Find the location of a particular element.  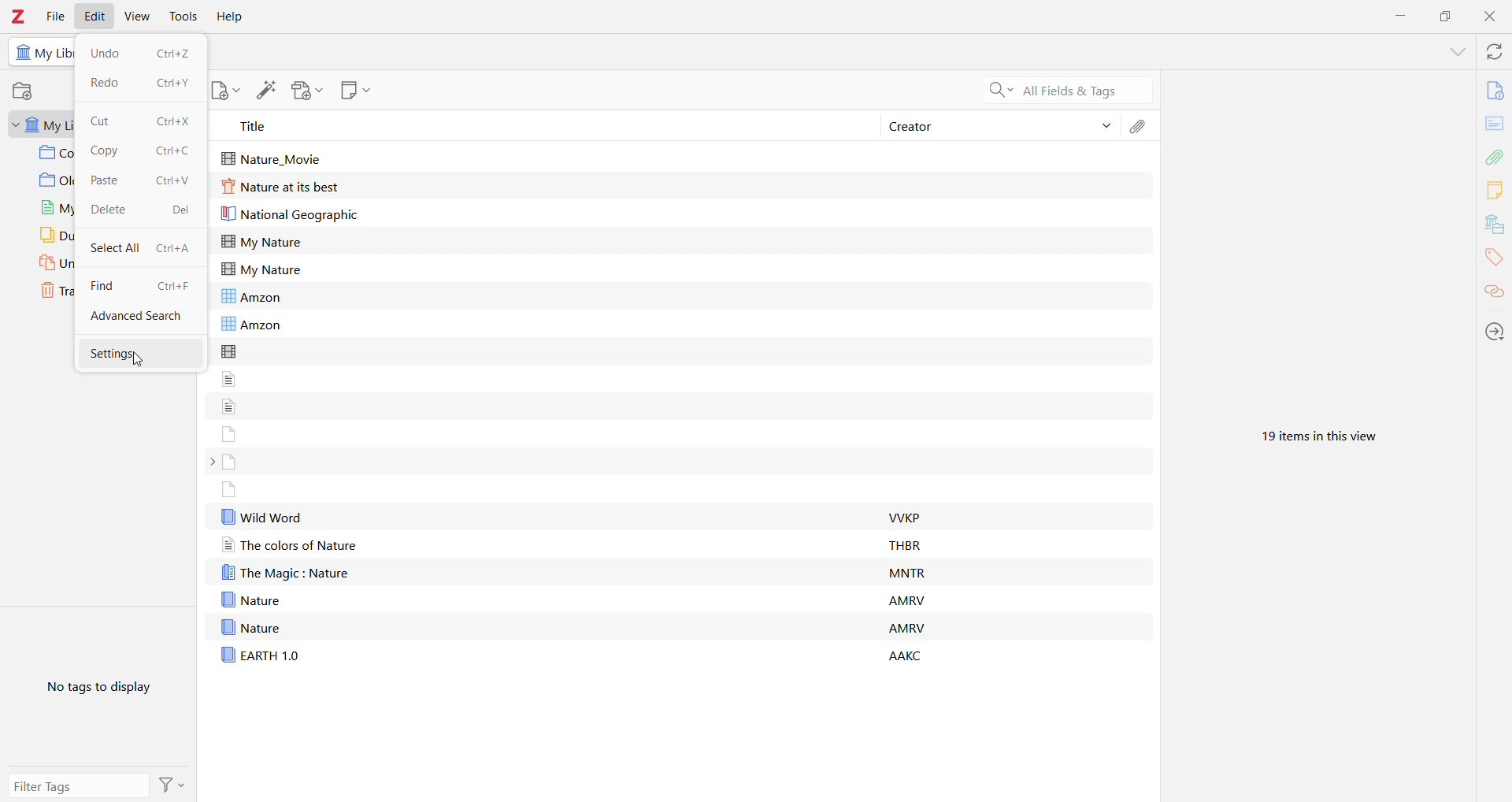

Redo is located at coordinates (108, 82).